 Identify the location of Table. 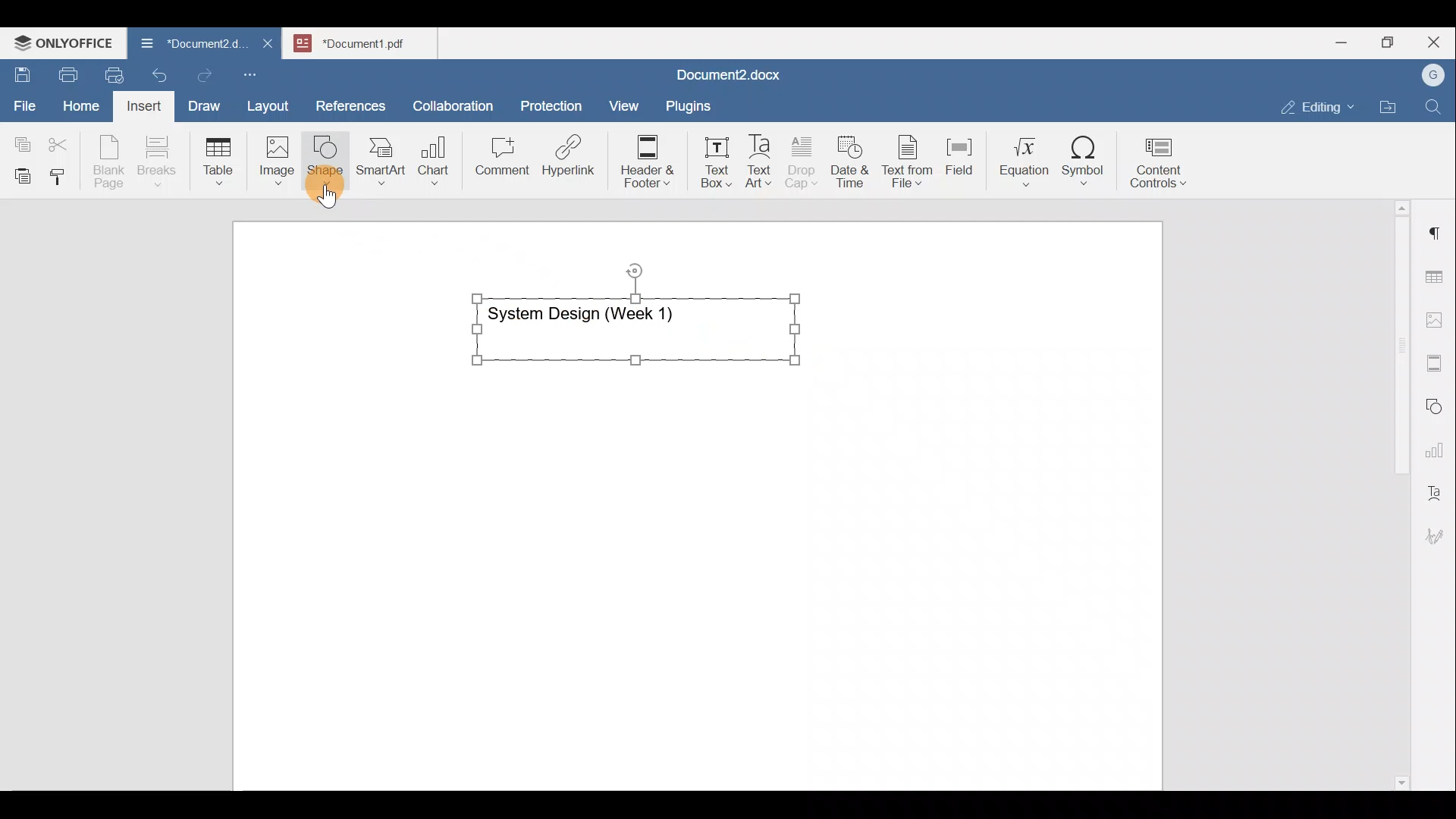
(219, 158).